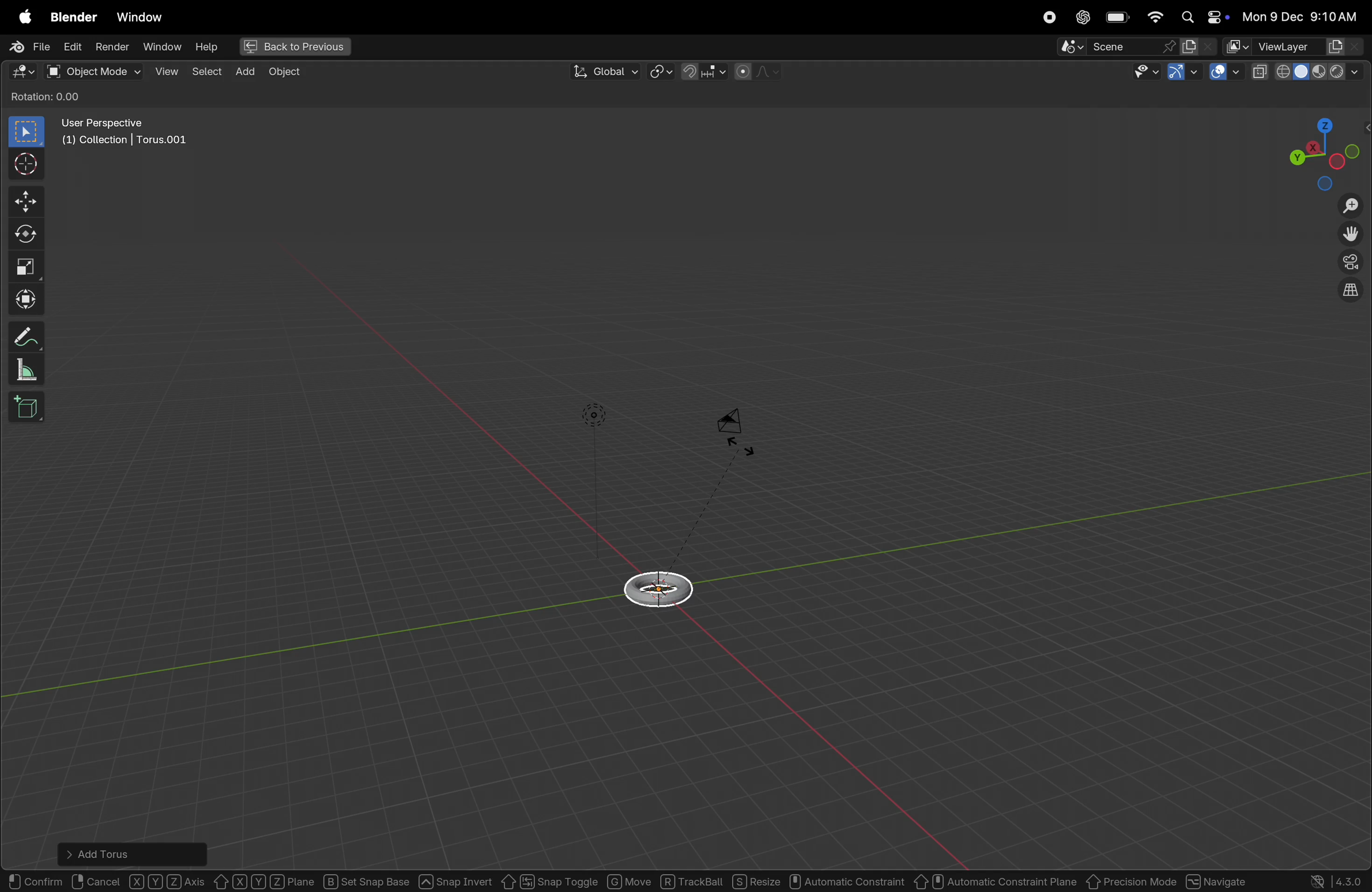 The height and width of the screenshot is (892, 1372). What do you see at coordinates (1081, 17) in the screenshot?
I see `chatgpt` at bounding box center [1081, 17].